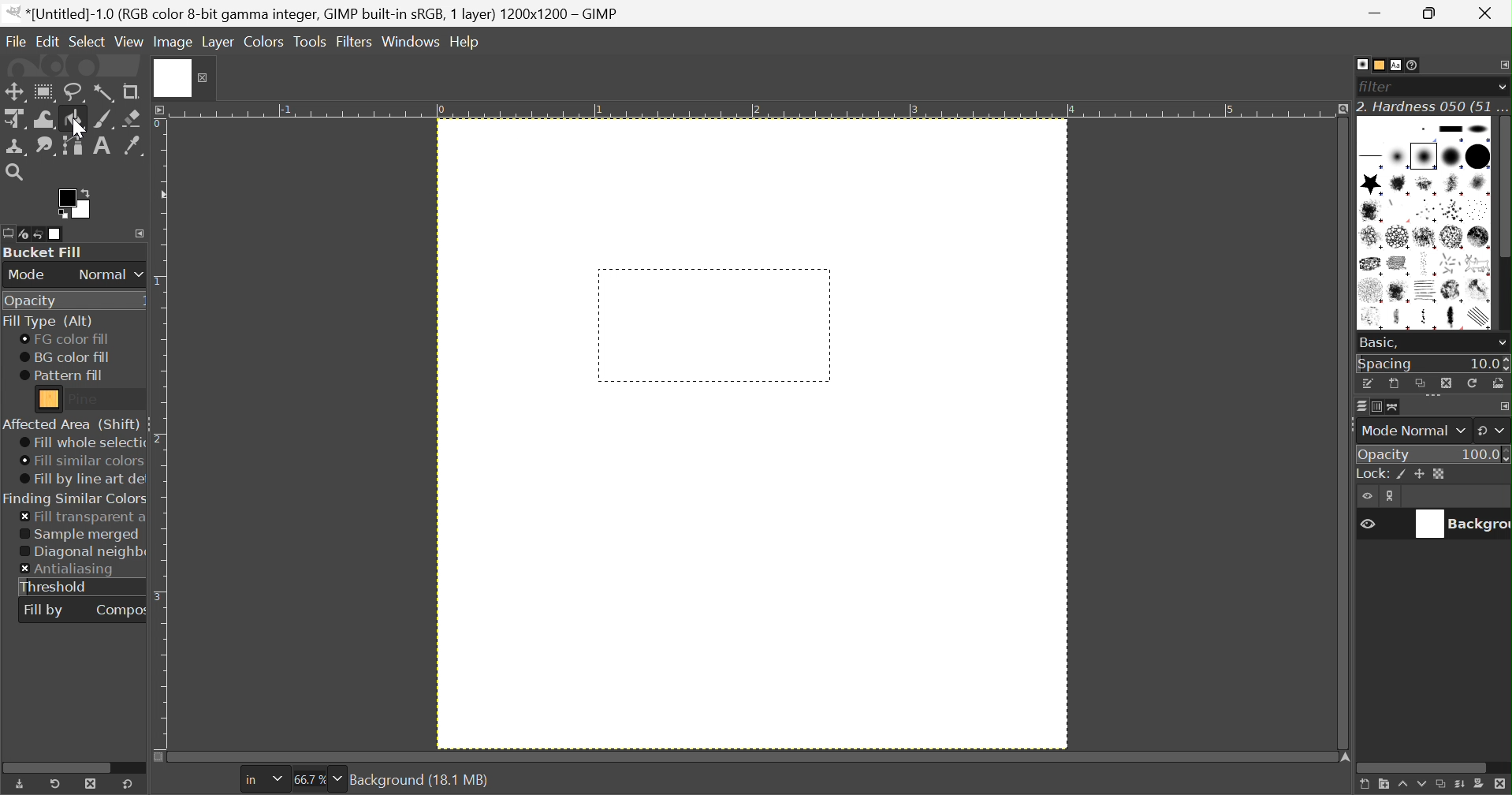 The width and height of the screenshot is (1512, 795). Describe the element at coordinates (1401, 185) in the screenshot. I see `Acrylic` at that location.